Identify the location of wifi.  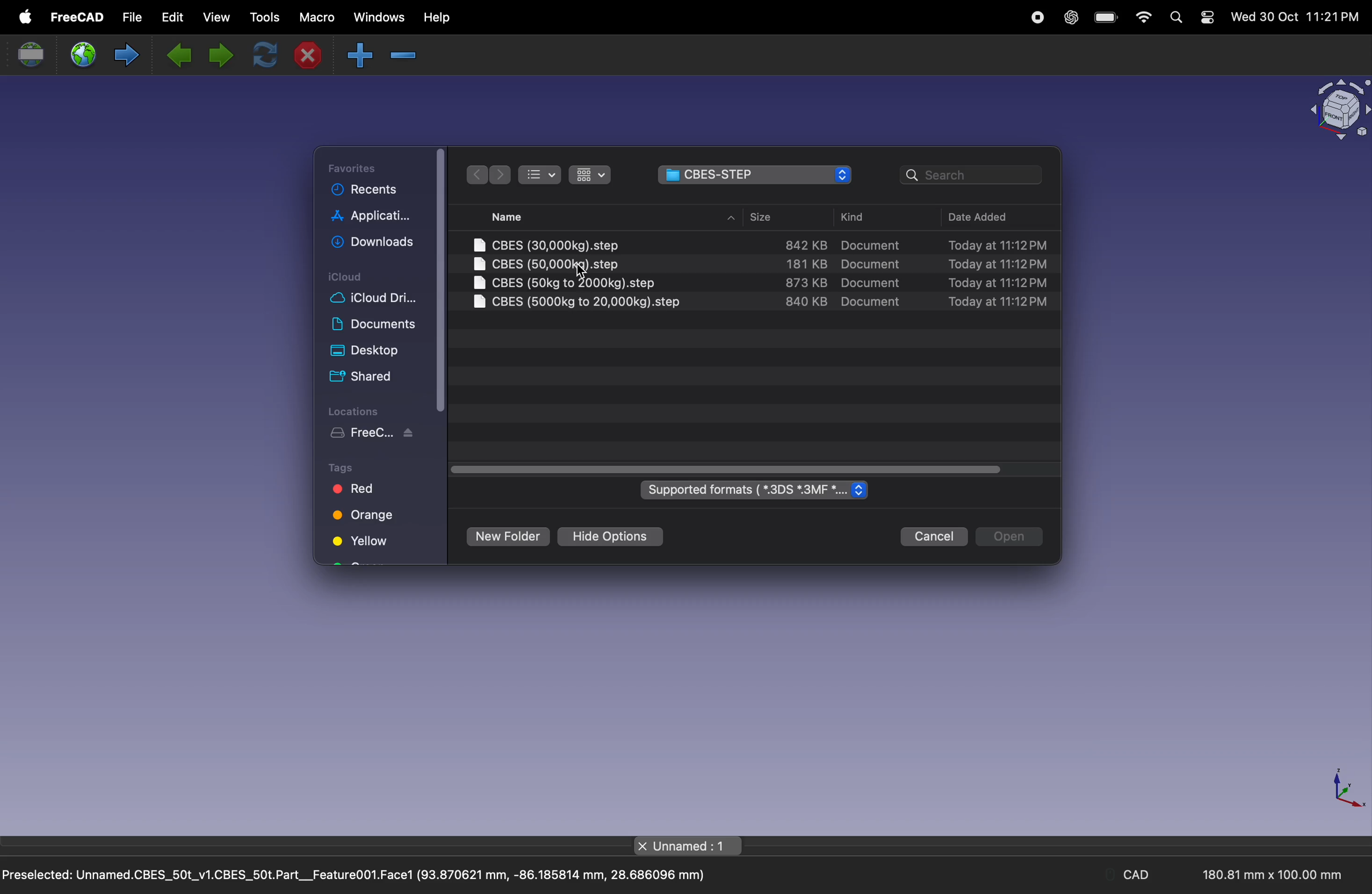
(1143, 19).